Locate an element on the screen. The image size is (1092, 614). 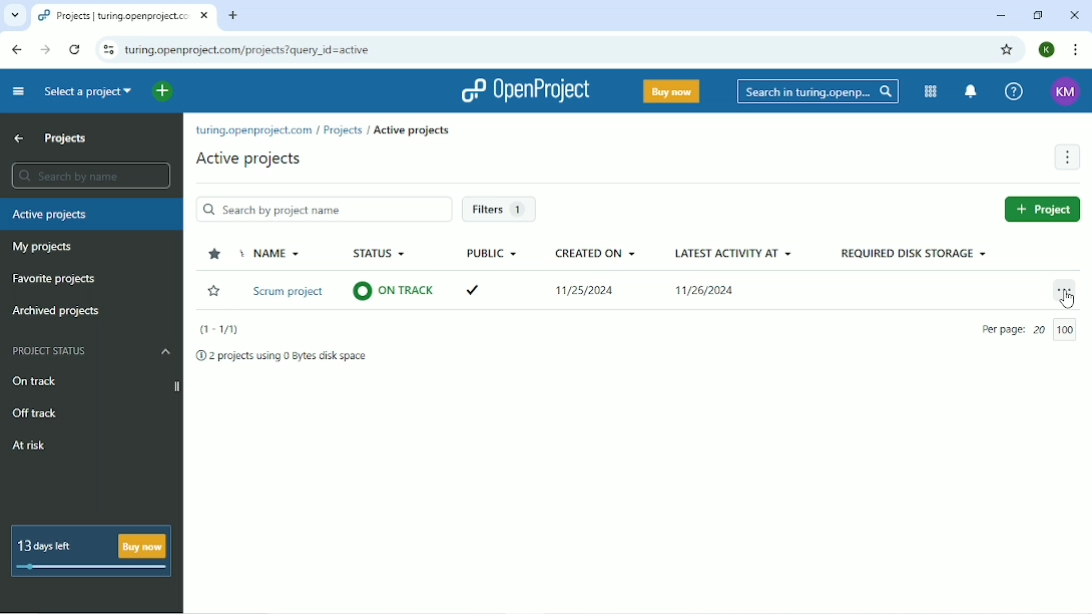
Search by name is located at coordinates (91, 175).